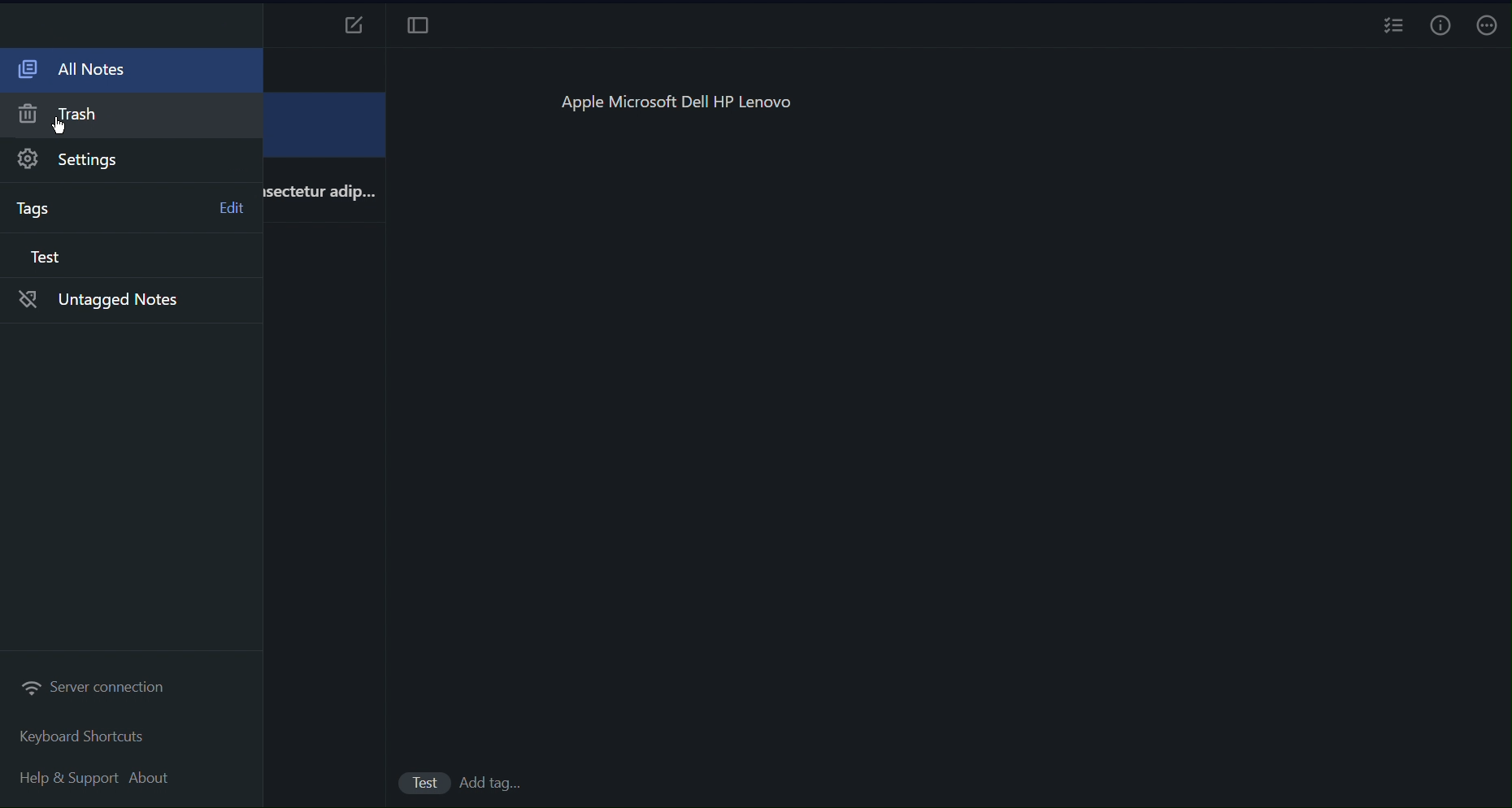 Image resolution: width=1512 pixels, height=808 pixels. Describe the element at coordinates (102, 693) in the screenshot. I see ` Server connection` at that location.